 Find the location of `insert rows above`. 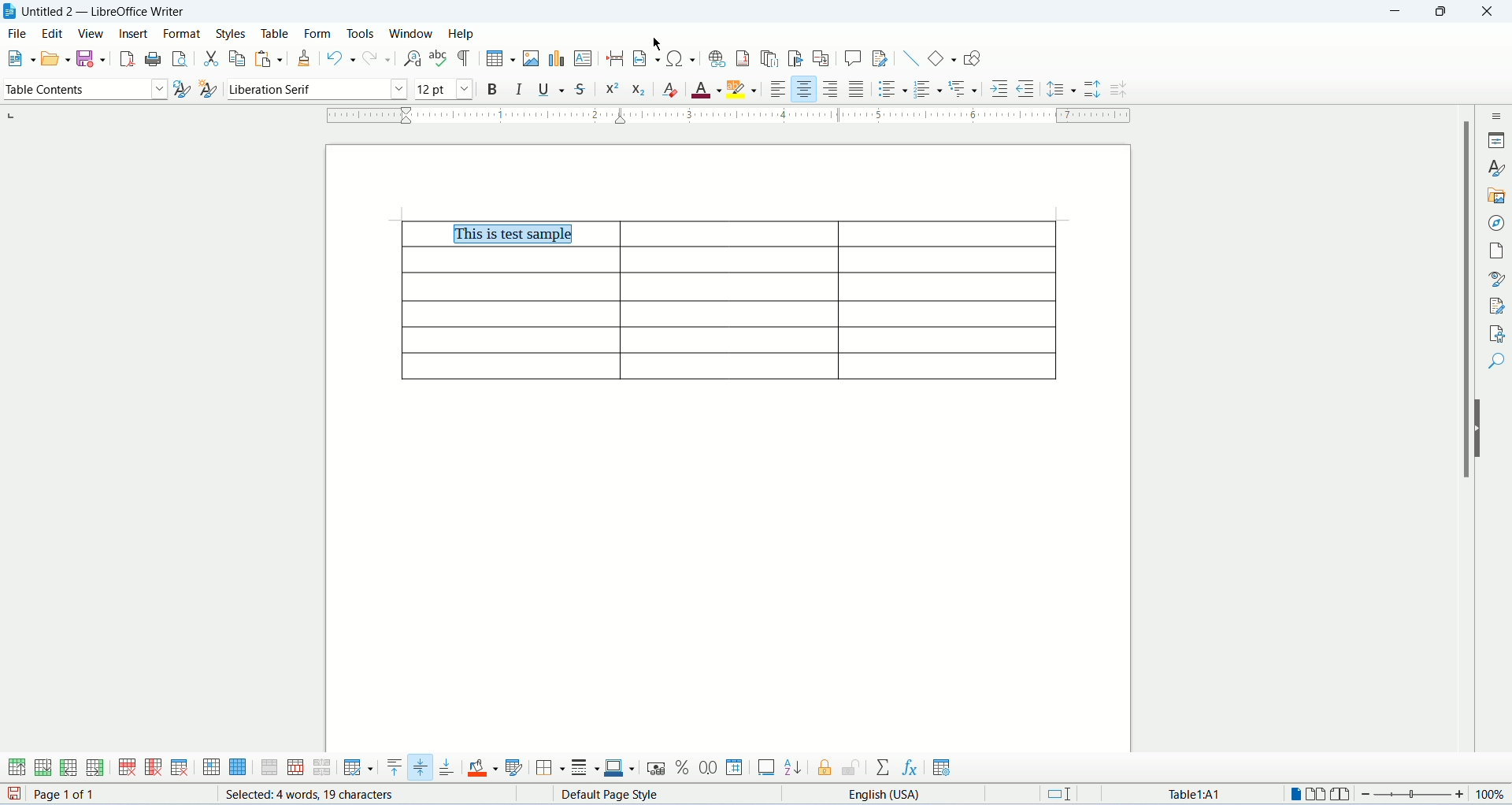

insert rows above is located at coordinates (15, 768).